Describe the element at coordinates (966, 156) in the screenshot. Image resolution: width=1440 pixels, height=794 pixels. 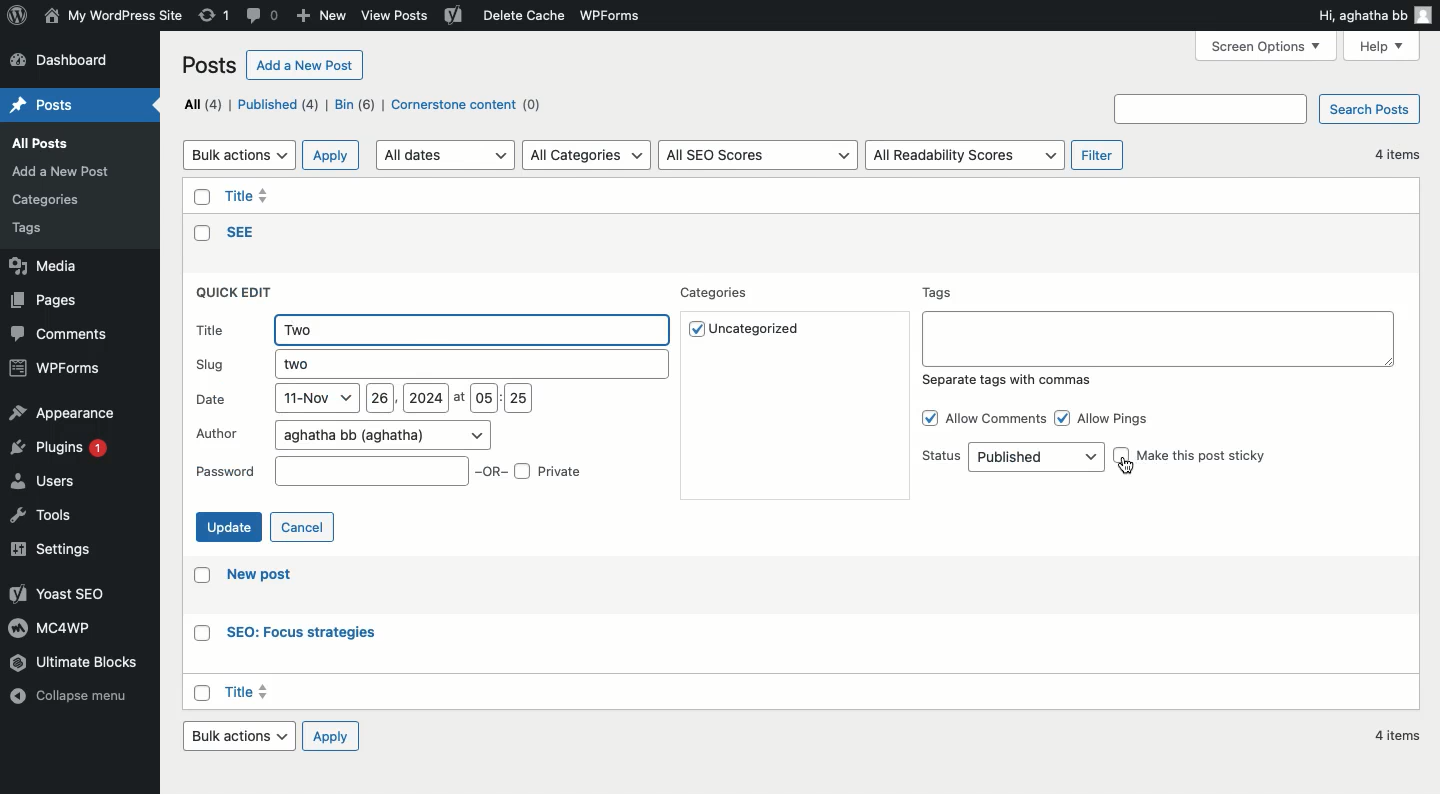
I see `All readability scores` at that location.